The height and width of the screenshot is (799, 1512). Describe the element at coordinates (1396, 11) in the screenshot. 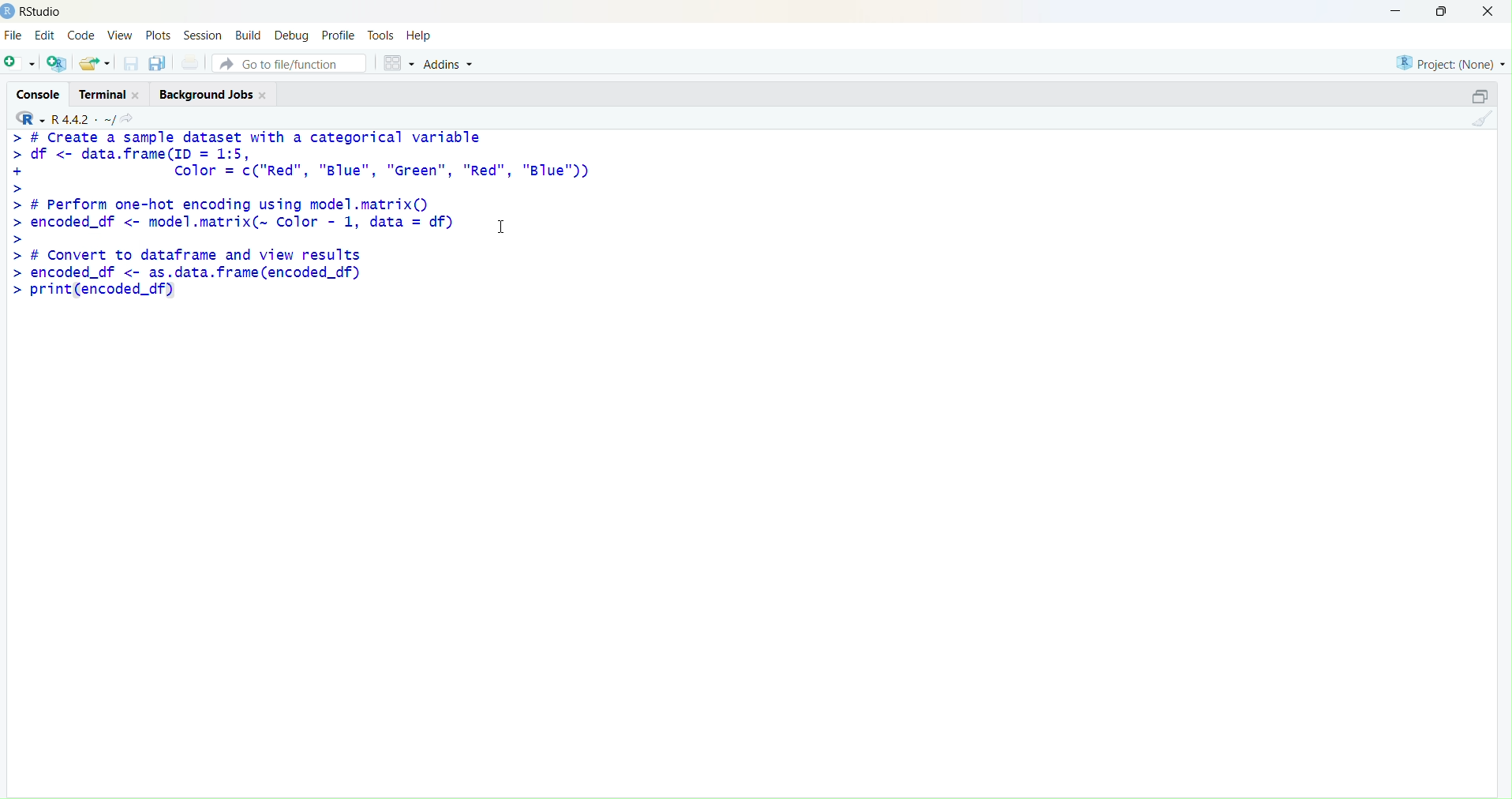

I see `minimise` at that location.